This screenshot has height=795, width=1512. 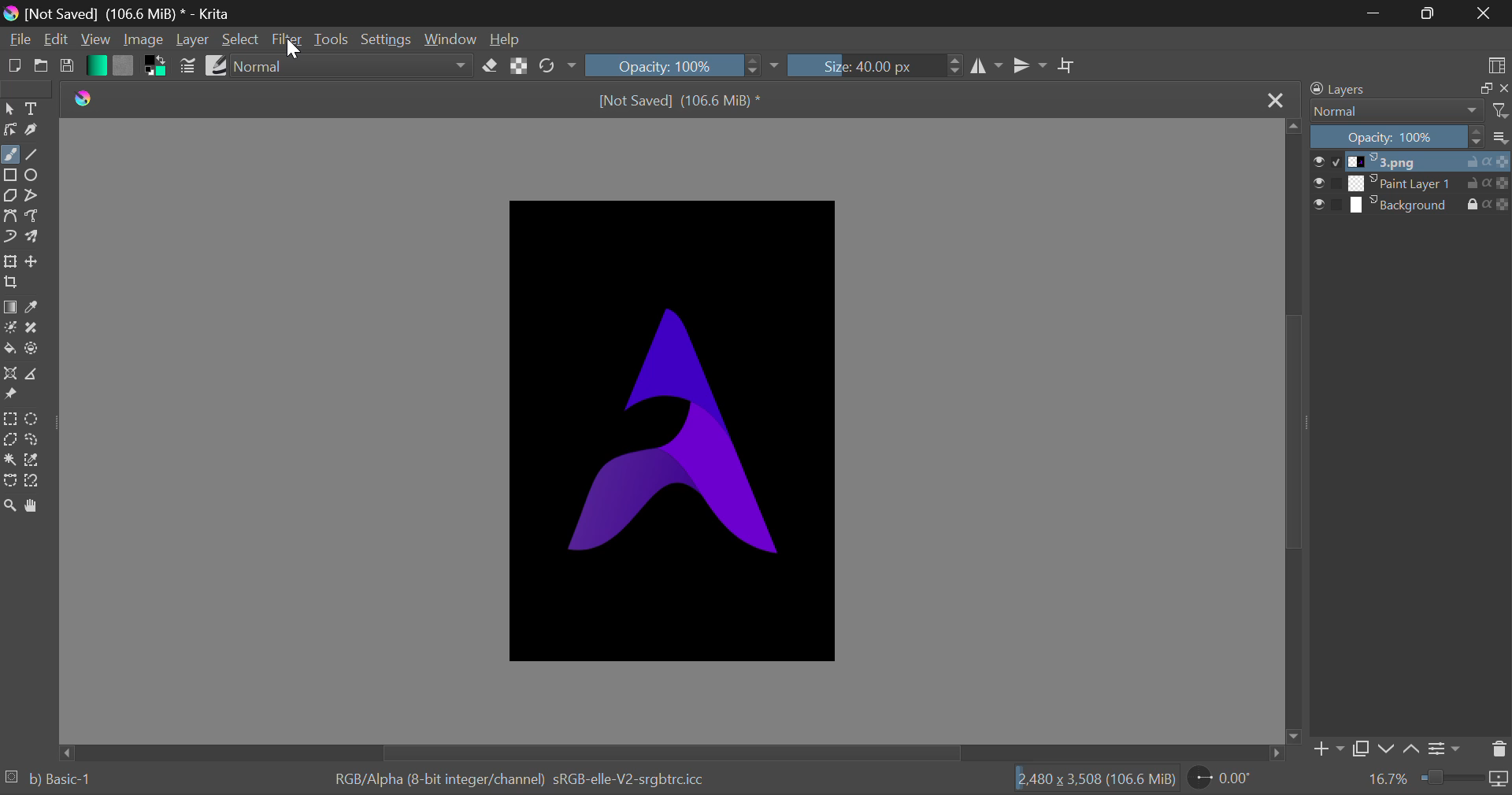 What do you see at coordinates (9, 349) in the screenshot?
I see `Fill` at bounding box center [9, 349].